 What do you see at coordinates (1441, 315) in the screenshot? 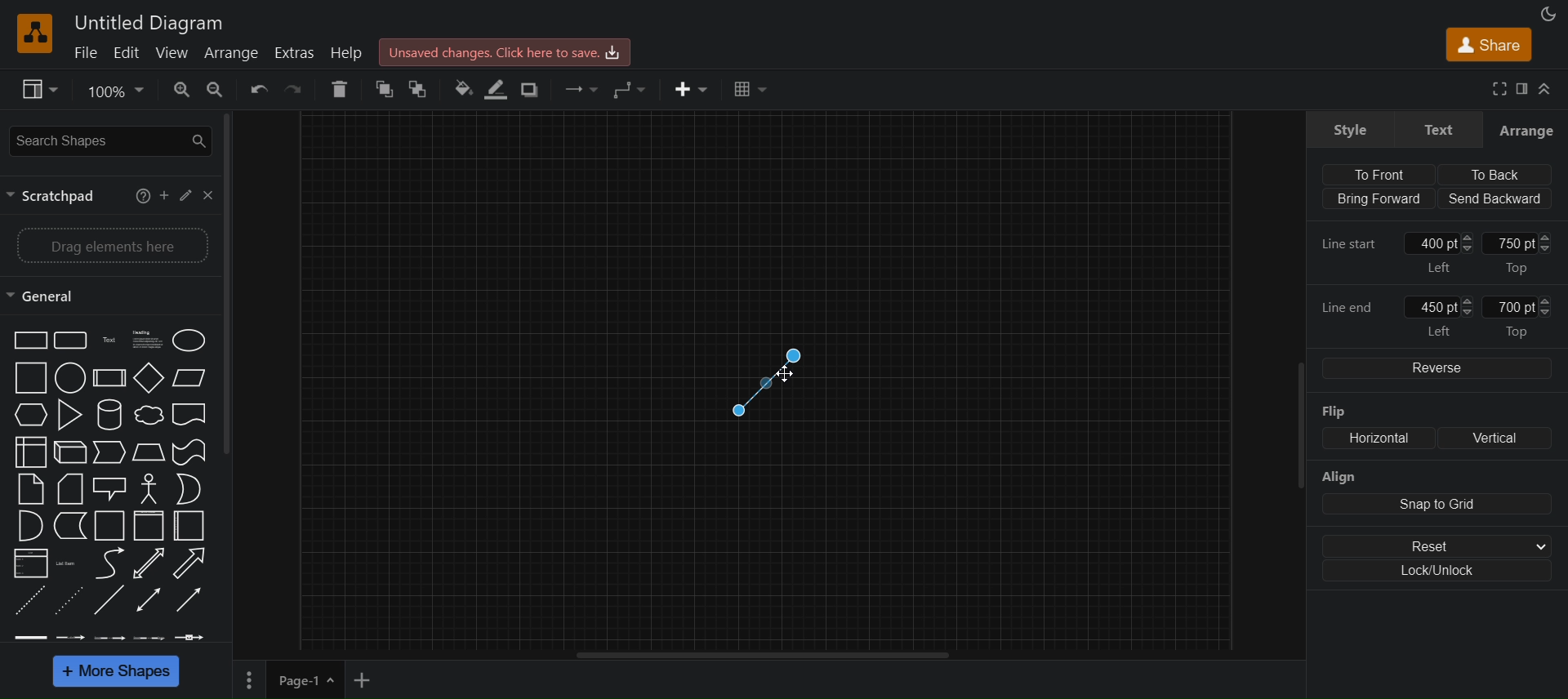
I see `450 pt left` at bounding box center [1441, 315].